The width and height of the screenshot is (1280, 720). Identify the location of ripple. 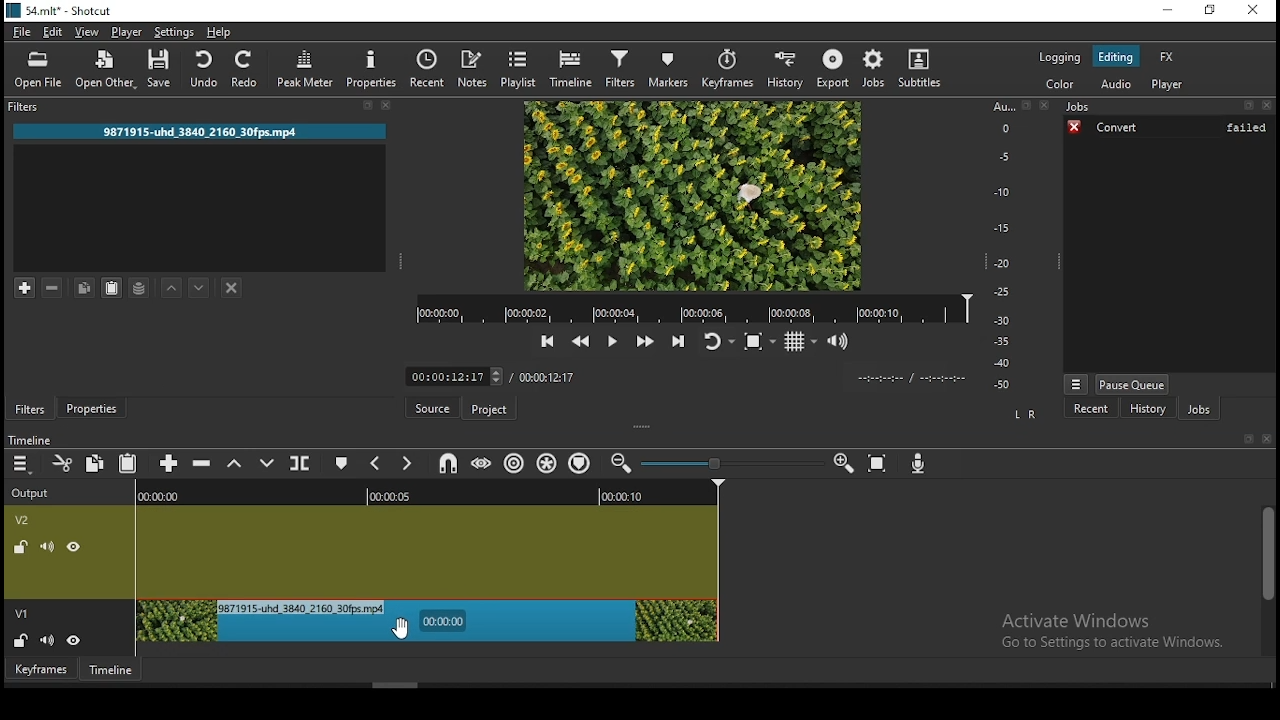
(515, 463).